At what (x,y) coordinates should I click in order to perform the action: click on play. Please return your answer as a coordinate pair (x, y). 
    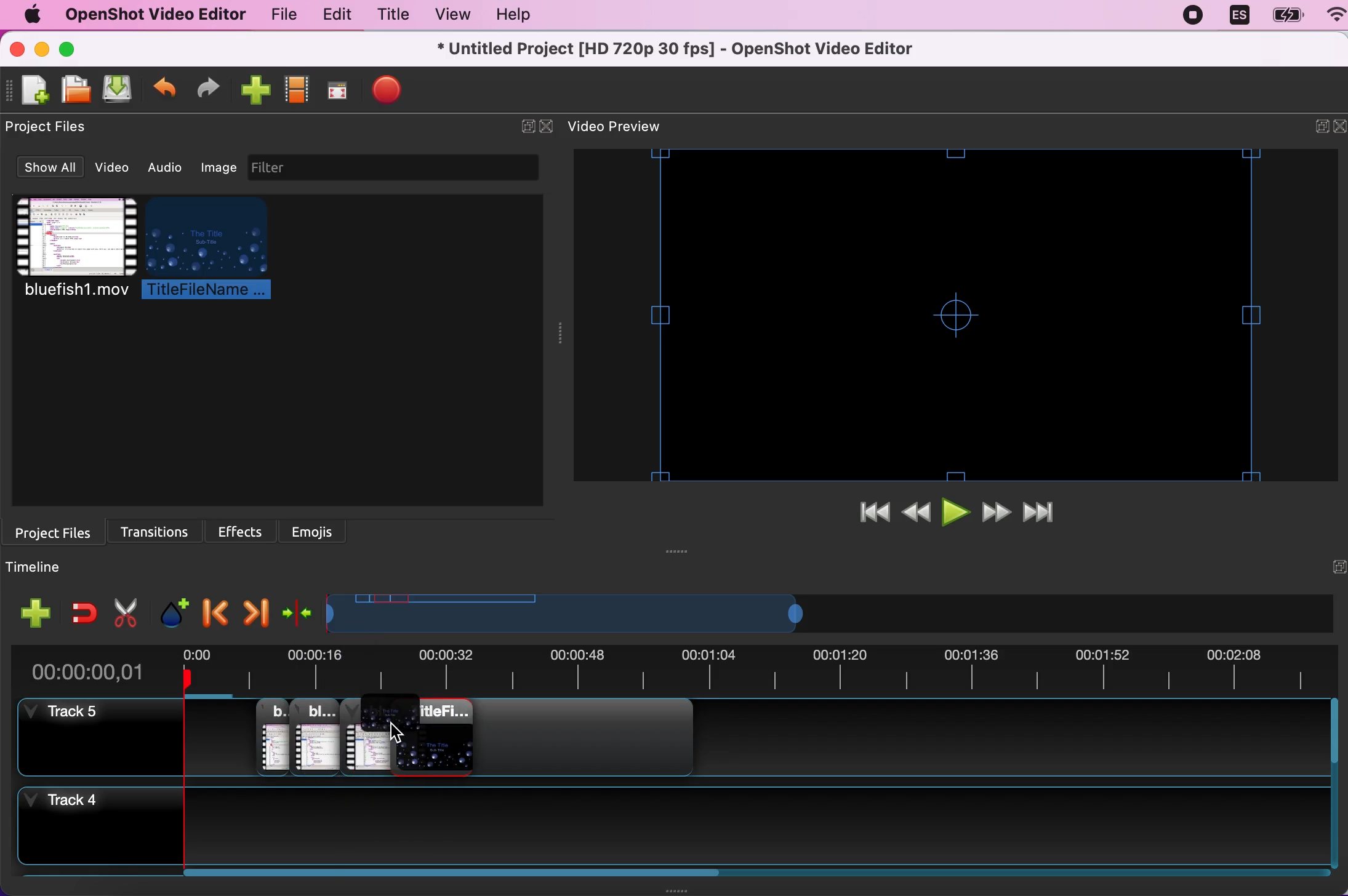
    Looking at the image, I should click on (957, 514).